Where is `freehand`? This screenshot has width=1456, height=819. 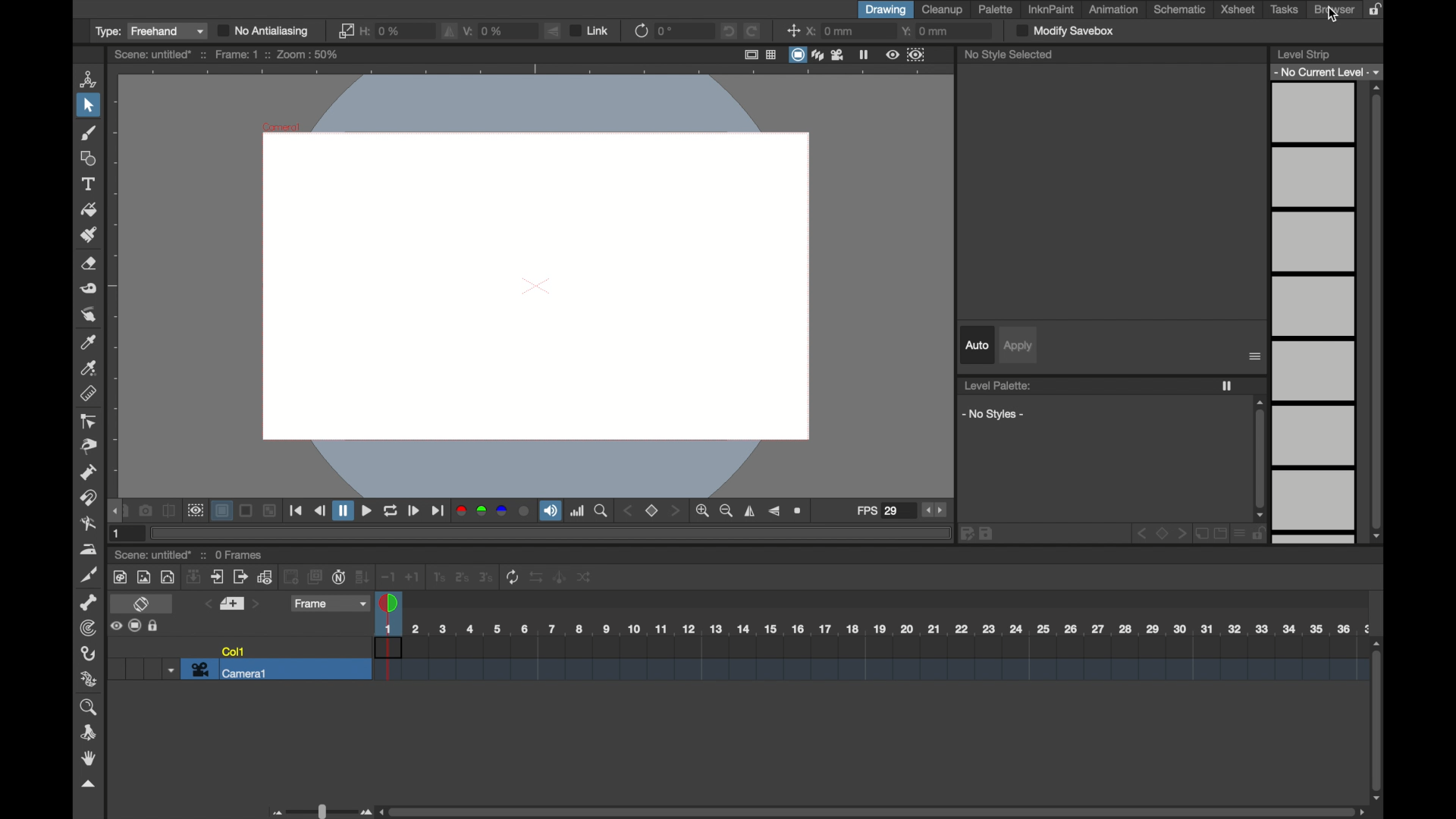 freehand is located at coordinates (168, 31).